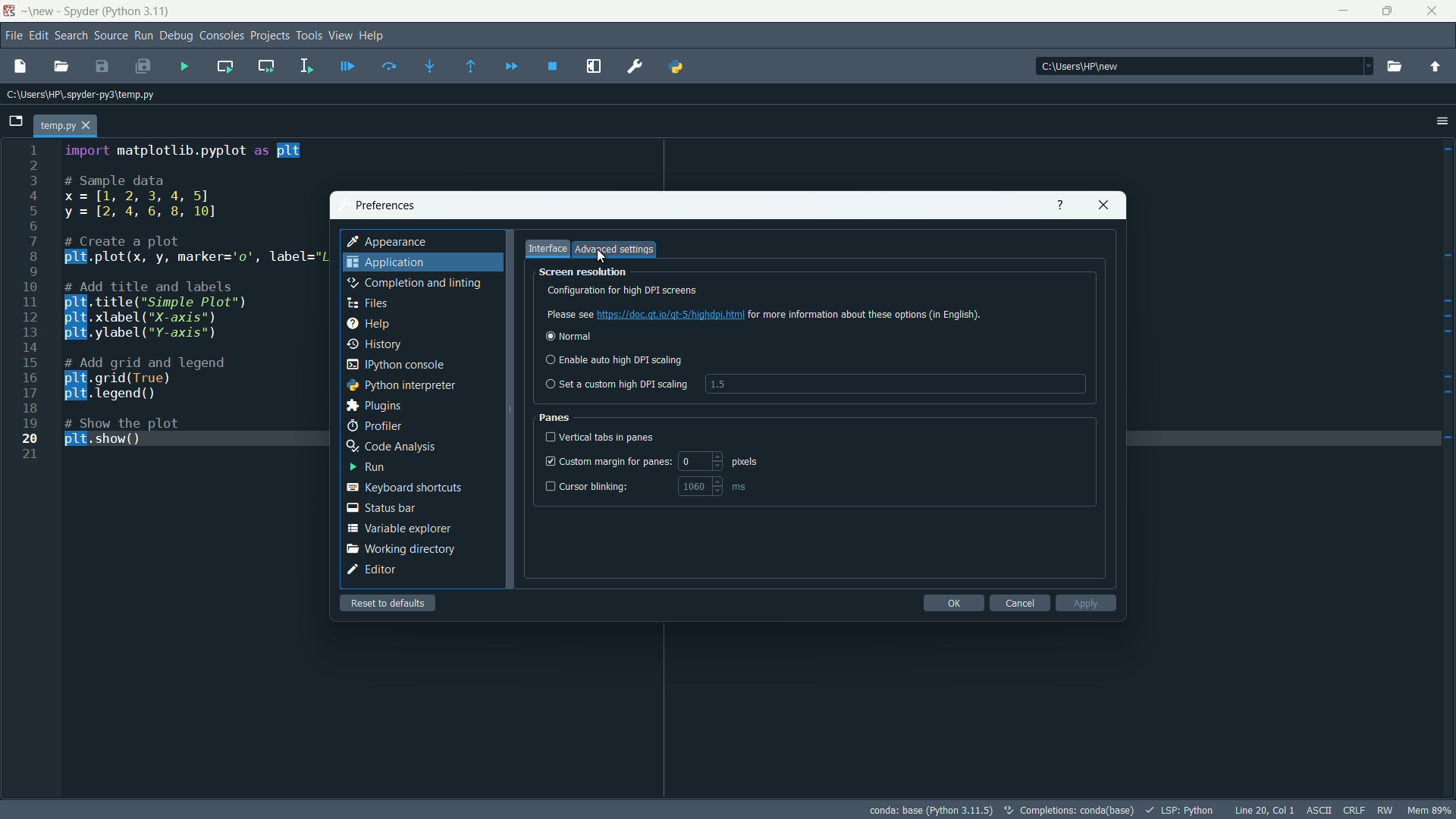  I want to click on reset to default, so click(388, 603).